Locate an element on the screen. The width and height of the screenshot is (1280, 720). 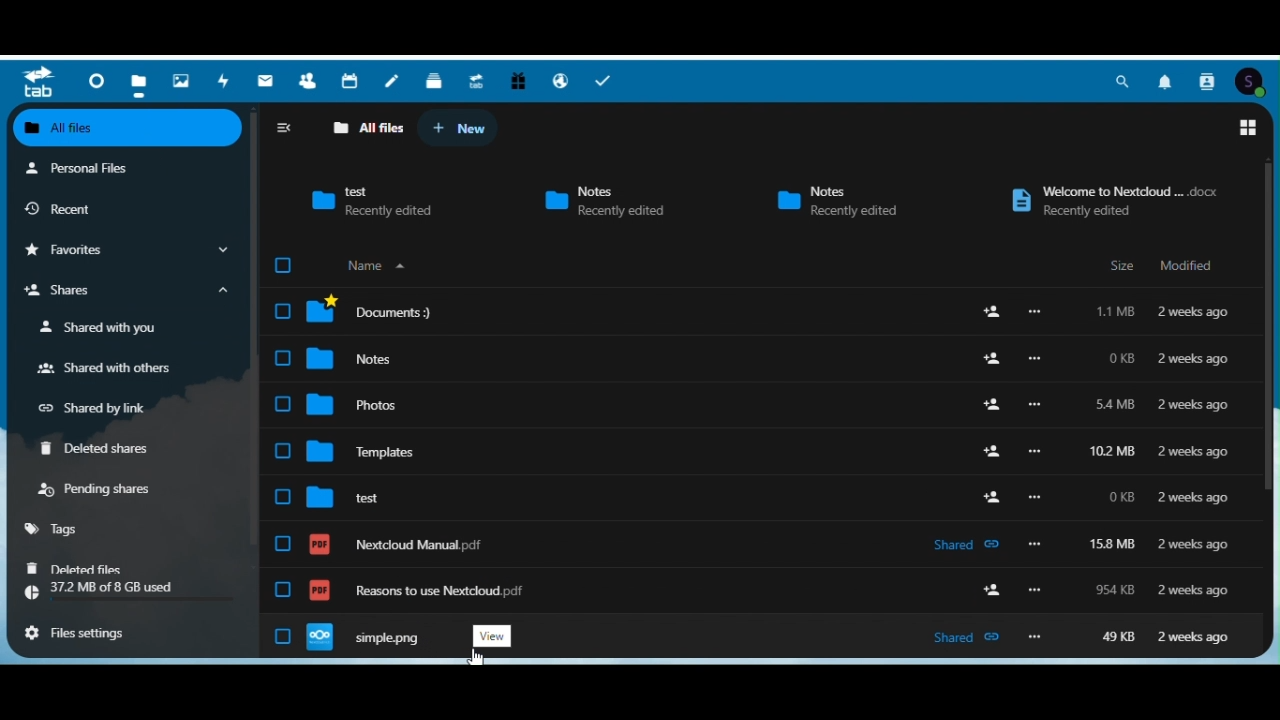
Painting shares  is located at coordinates (103, 487).